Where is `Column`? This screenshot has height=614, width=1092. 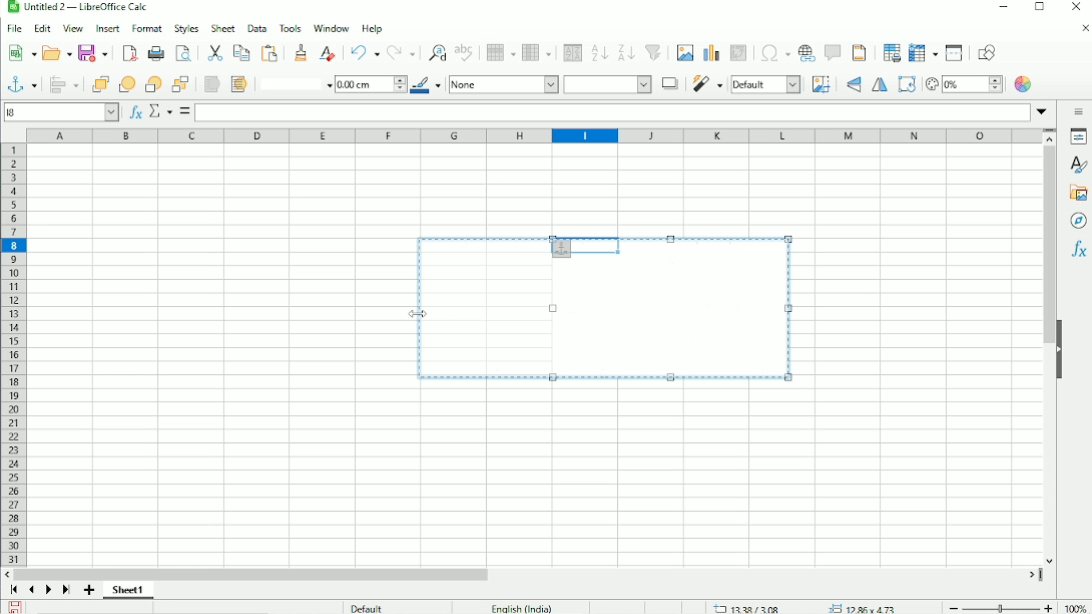
Column is located at coordinates (538, 52).